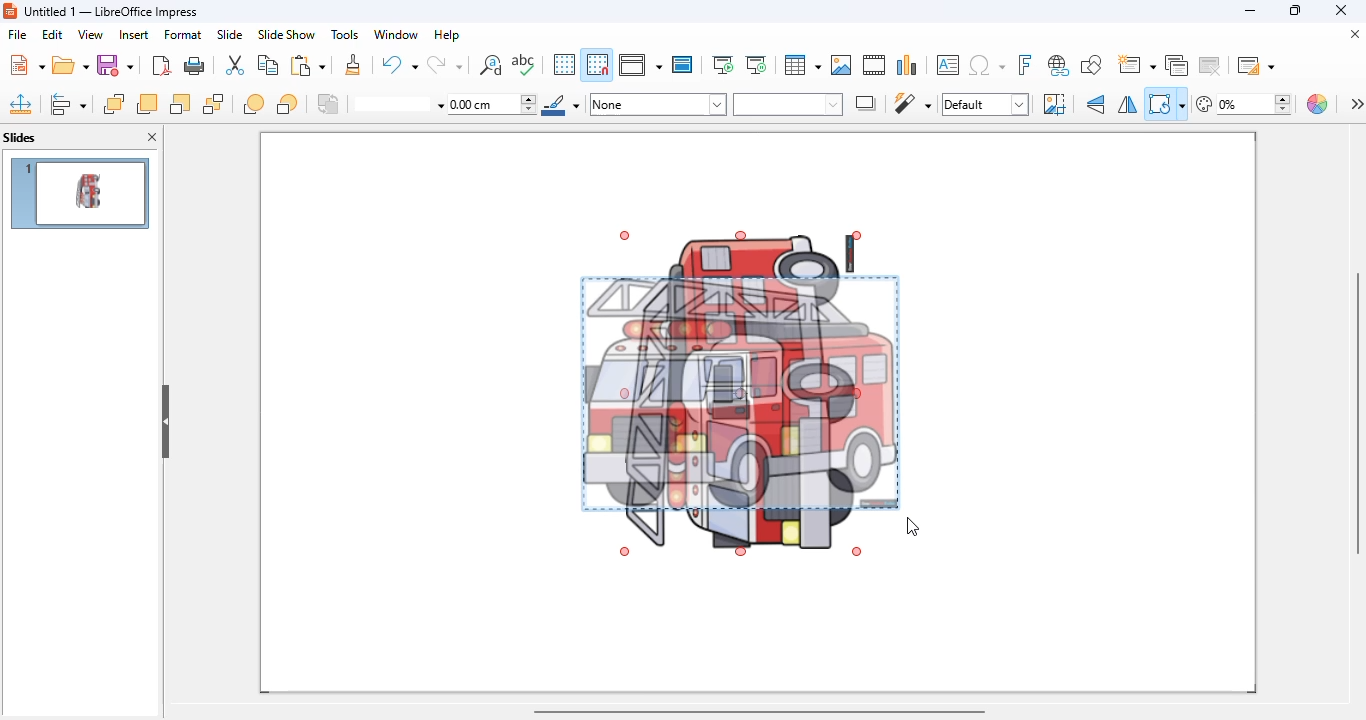  I want to click on transformations, so click(1166, 104).